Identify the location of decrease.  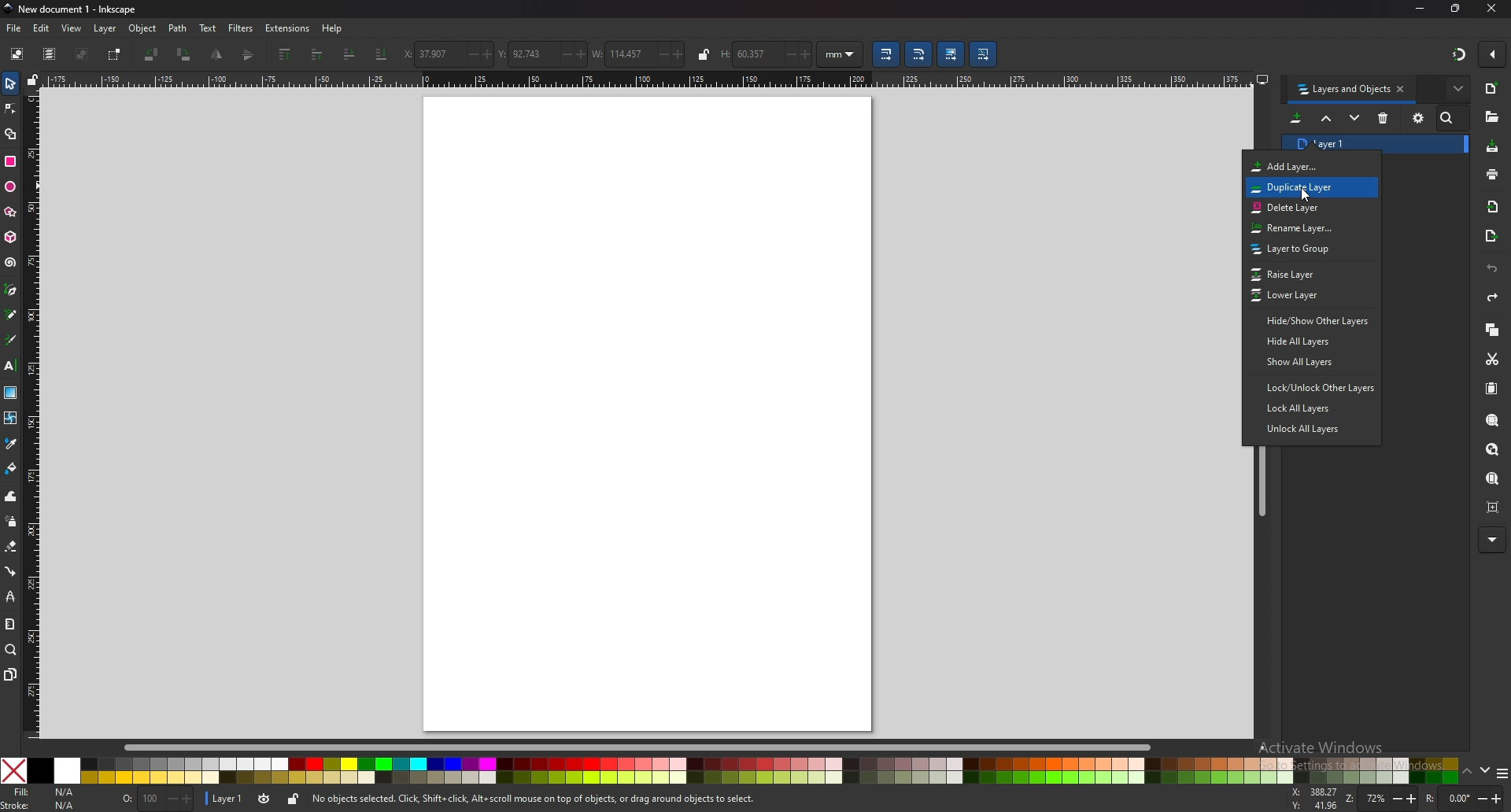
(660, 54).